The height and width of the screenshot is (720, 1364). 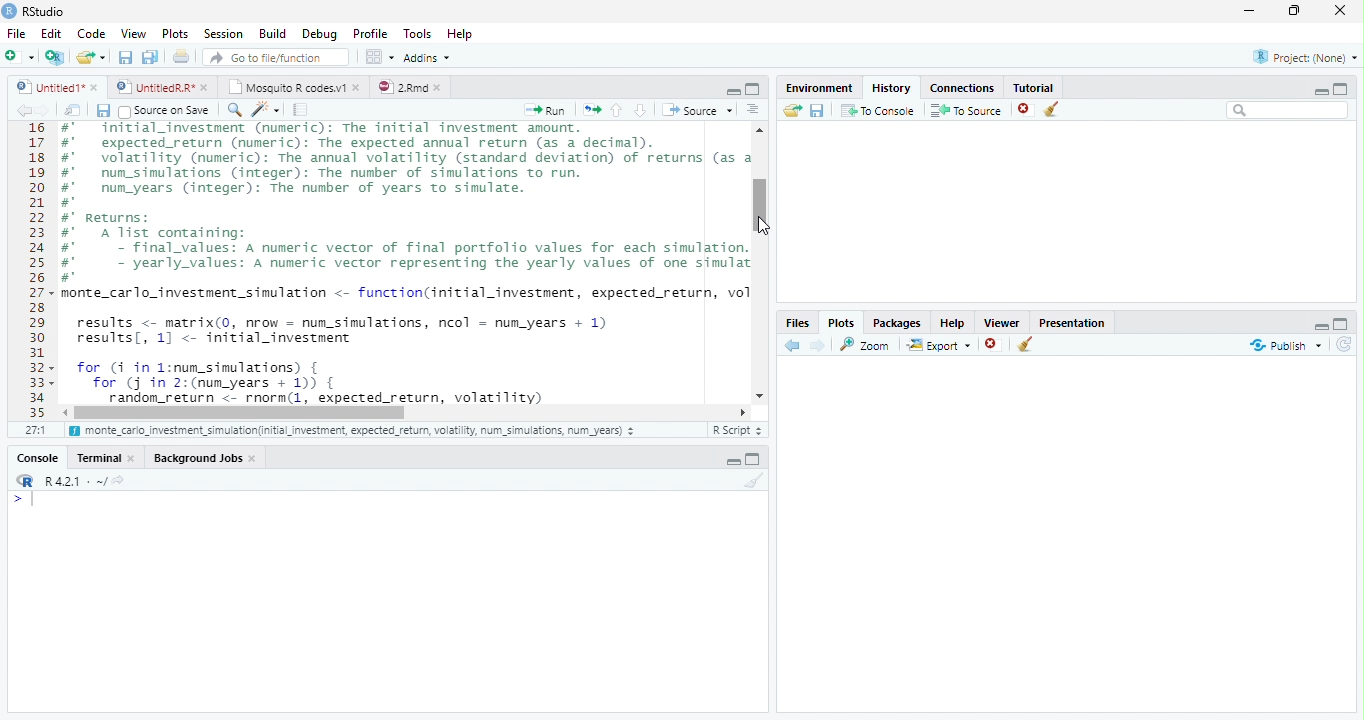 What do you see at coordinates (1056, 110) in the screenshot?
I see `Clear` at bounding box center [1056, 110].